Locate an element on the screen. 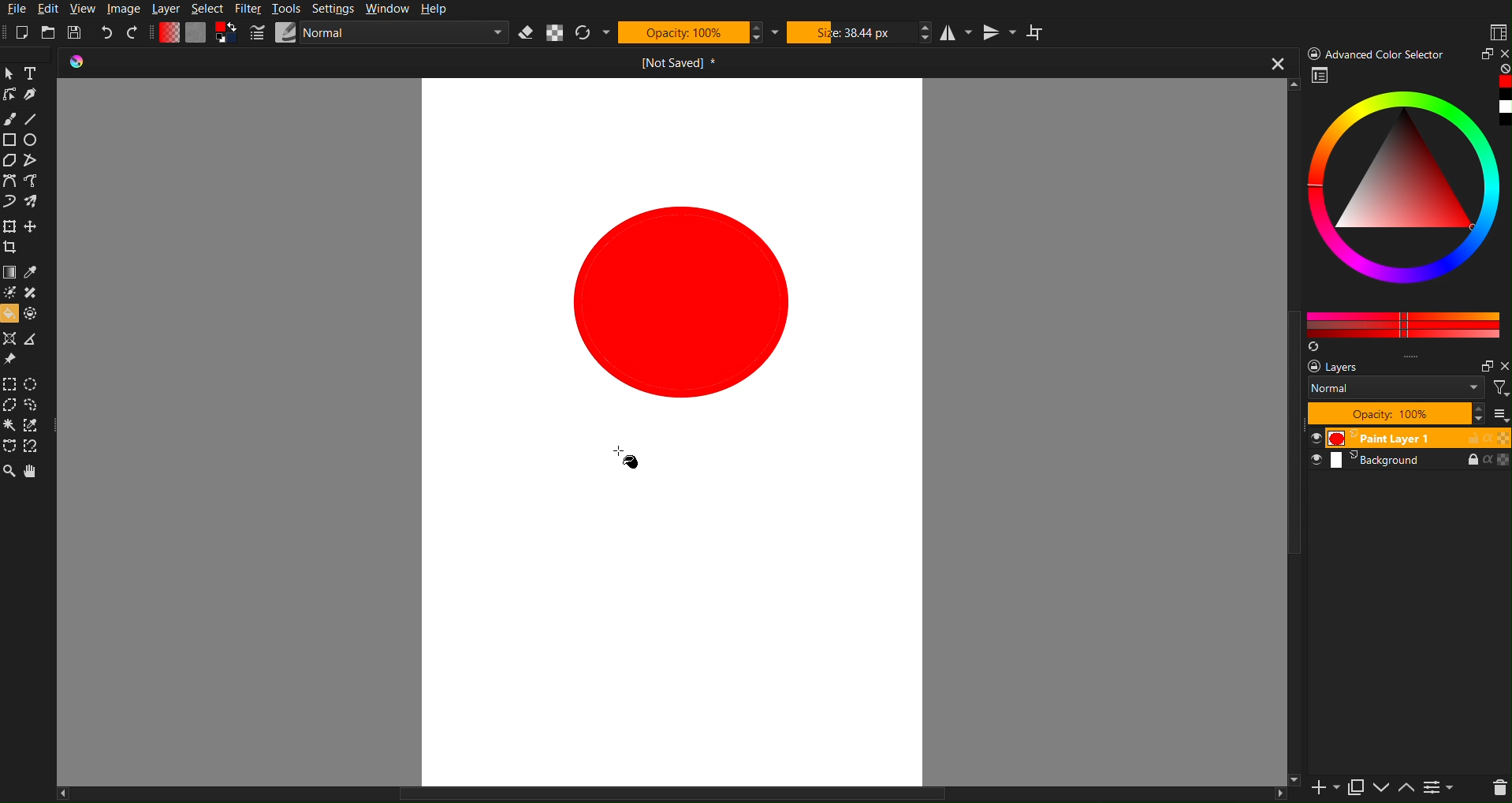 This screenshot has width=1512, height=803. Delete  is located at coordinates (1498, 790).